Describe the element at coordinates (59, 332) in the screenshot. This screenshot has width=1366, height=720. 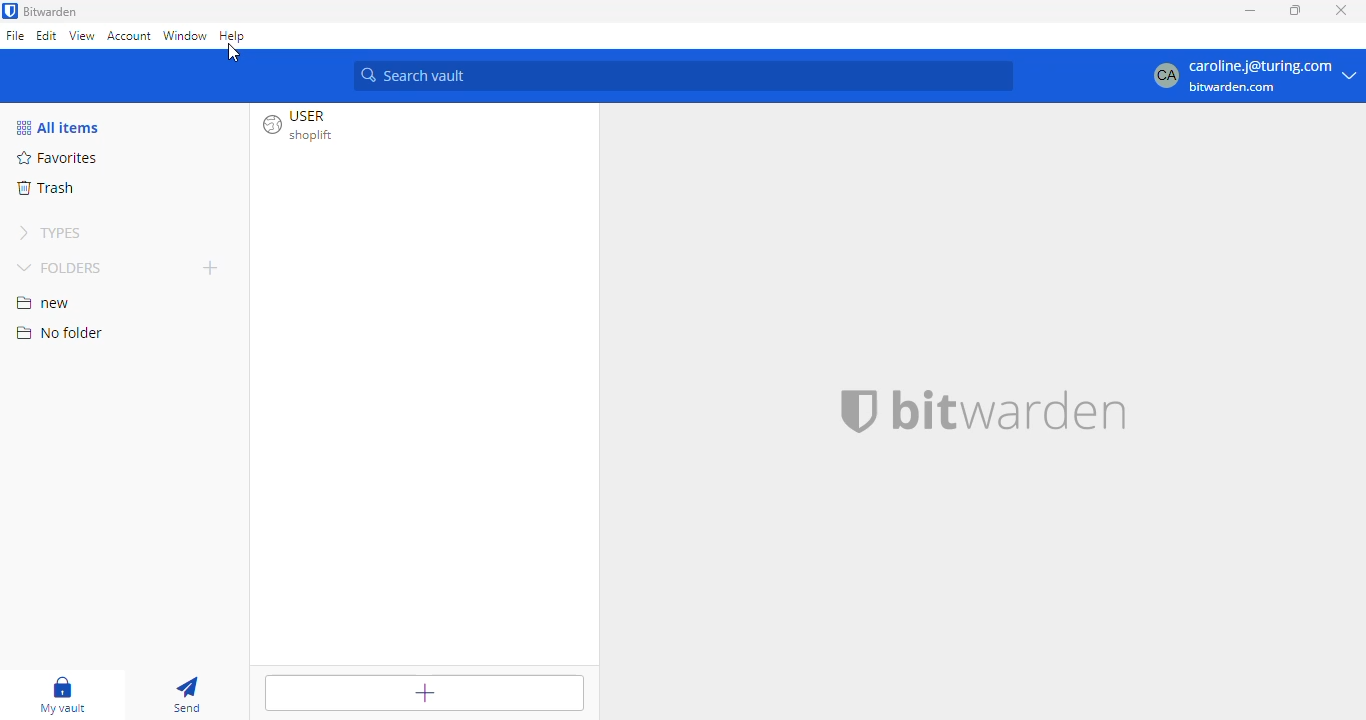
I see `no folder` at that location.